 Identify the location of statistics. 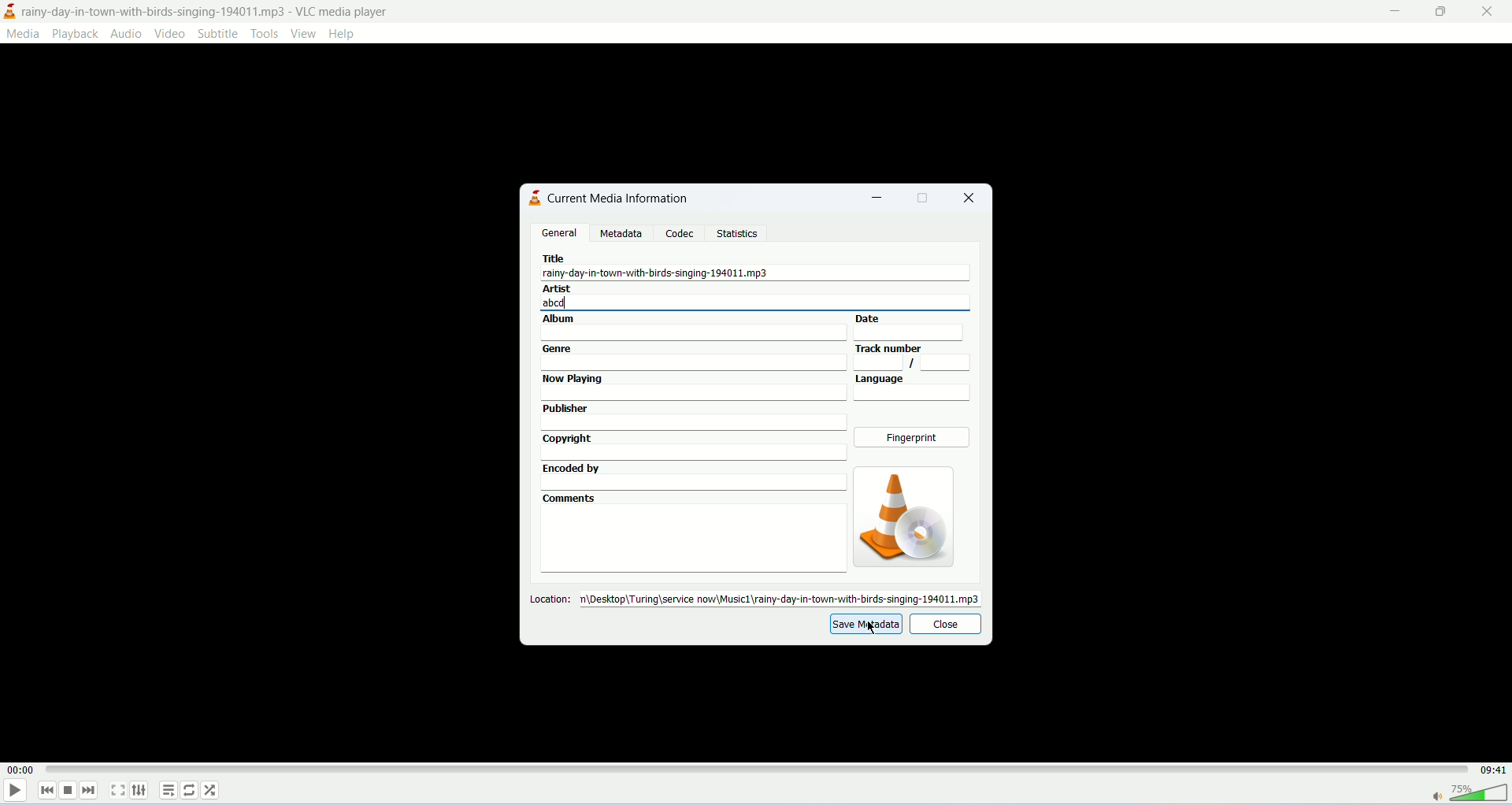
(738, 232).